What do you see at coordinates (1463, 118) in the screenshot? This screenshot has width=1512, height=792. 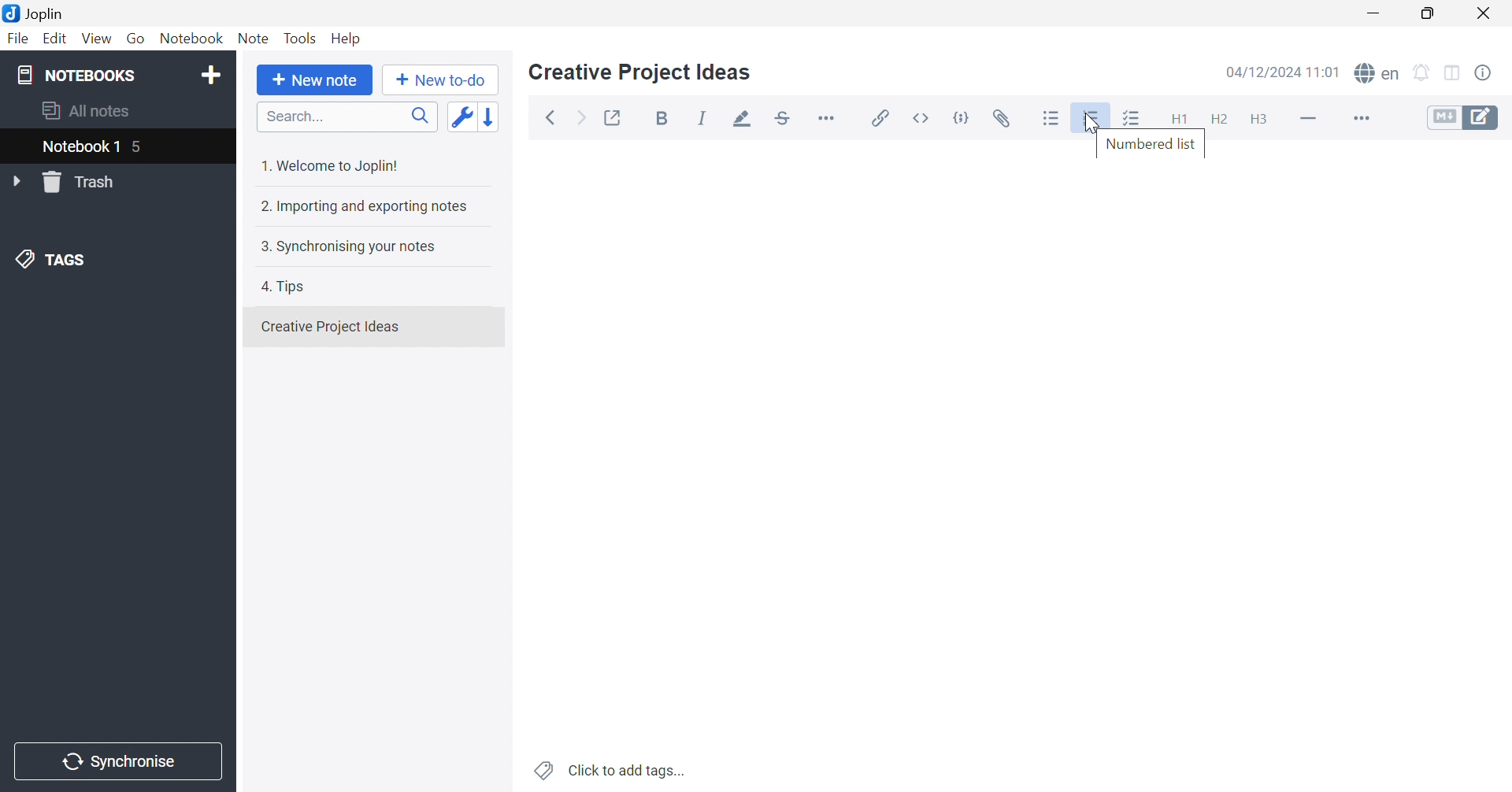 I see `Toggle editors` at bounding box center [1463, 118].